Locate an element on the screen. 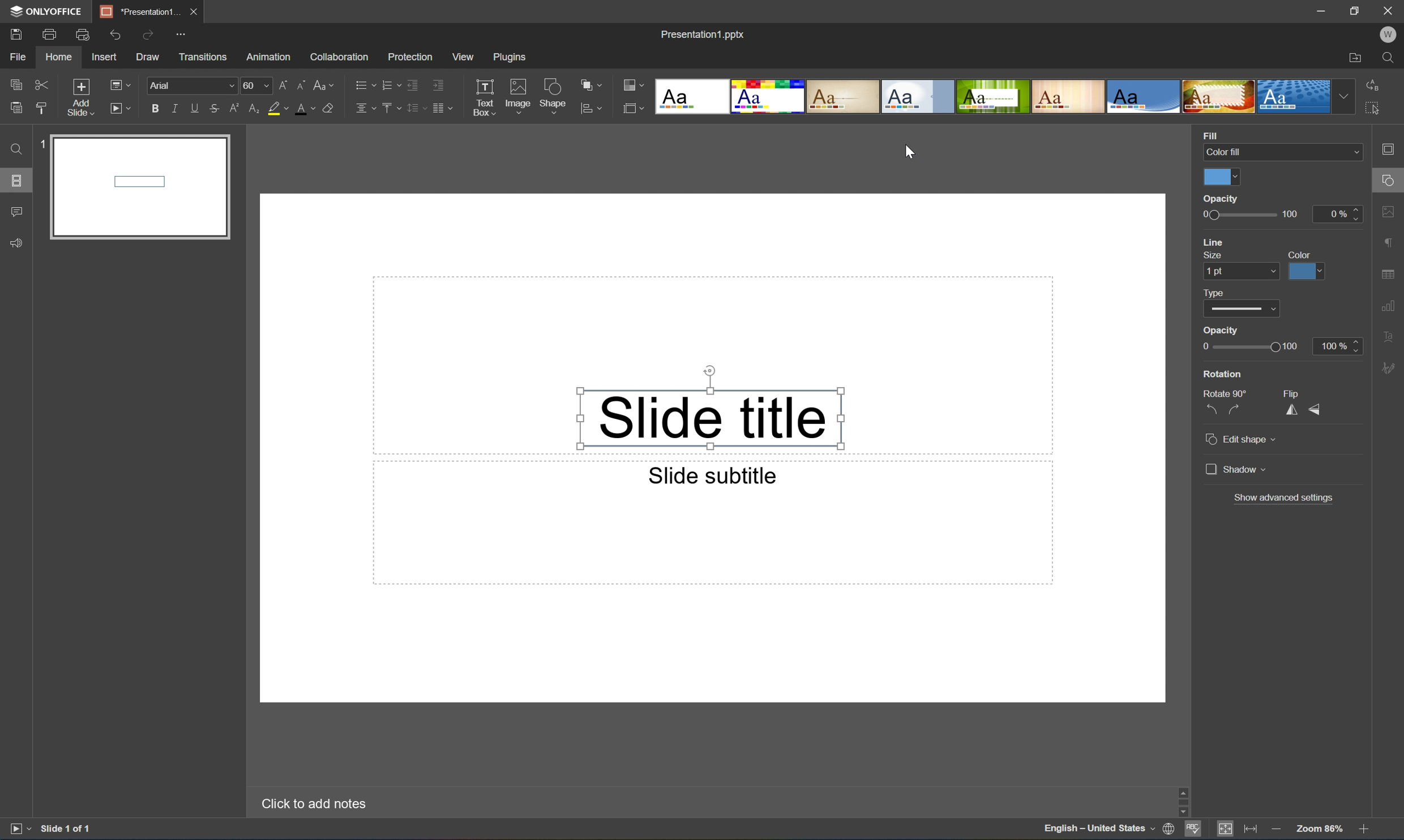  Change color theme is located at coordinates (633, 85).